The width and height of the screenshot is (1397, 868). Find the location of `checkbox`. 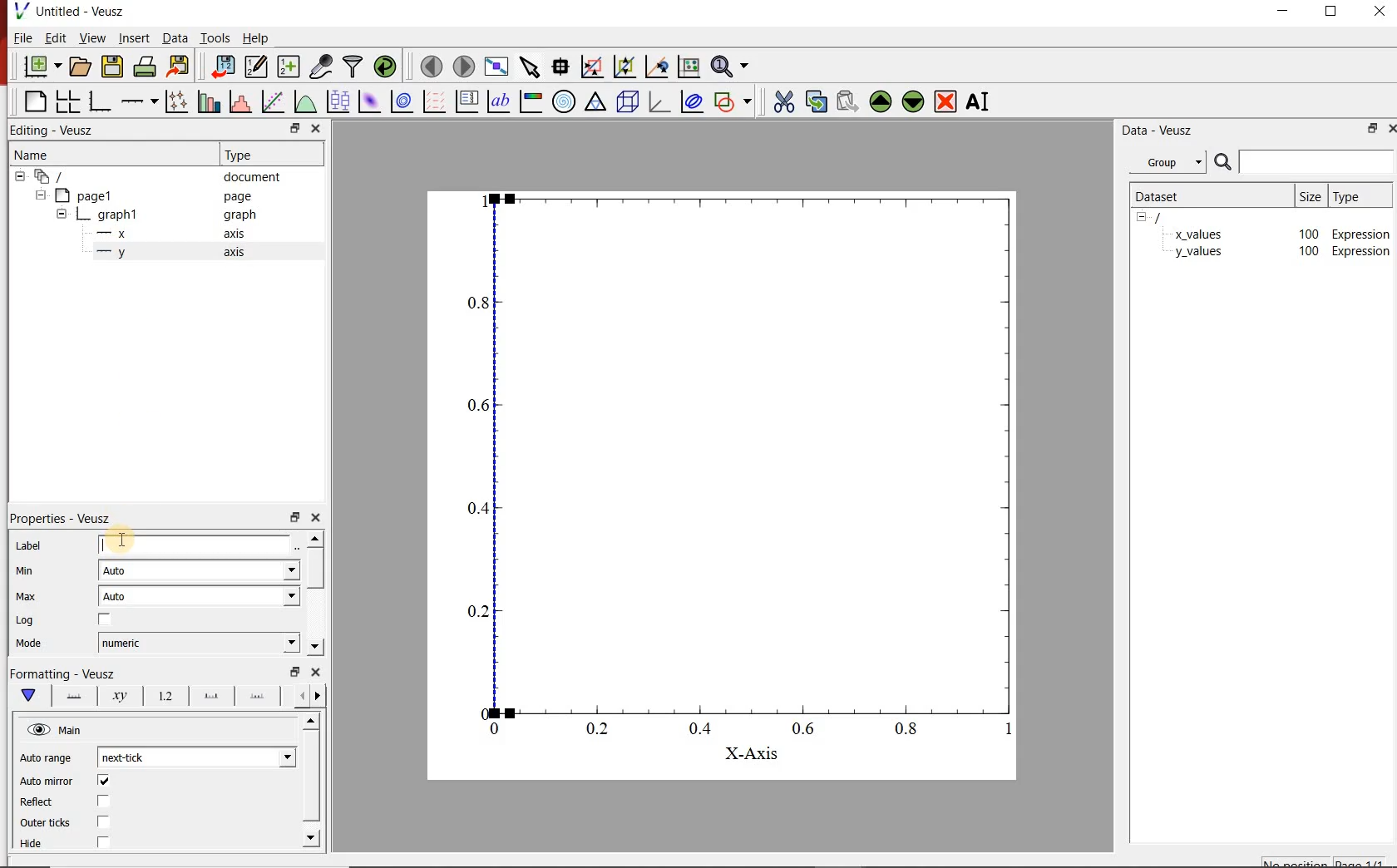

checkbox is located at coordinates (105, 821).